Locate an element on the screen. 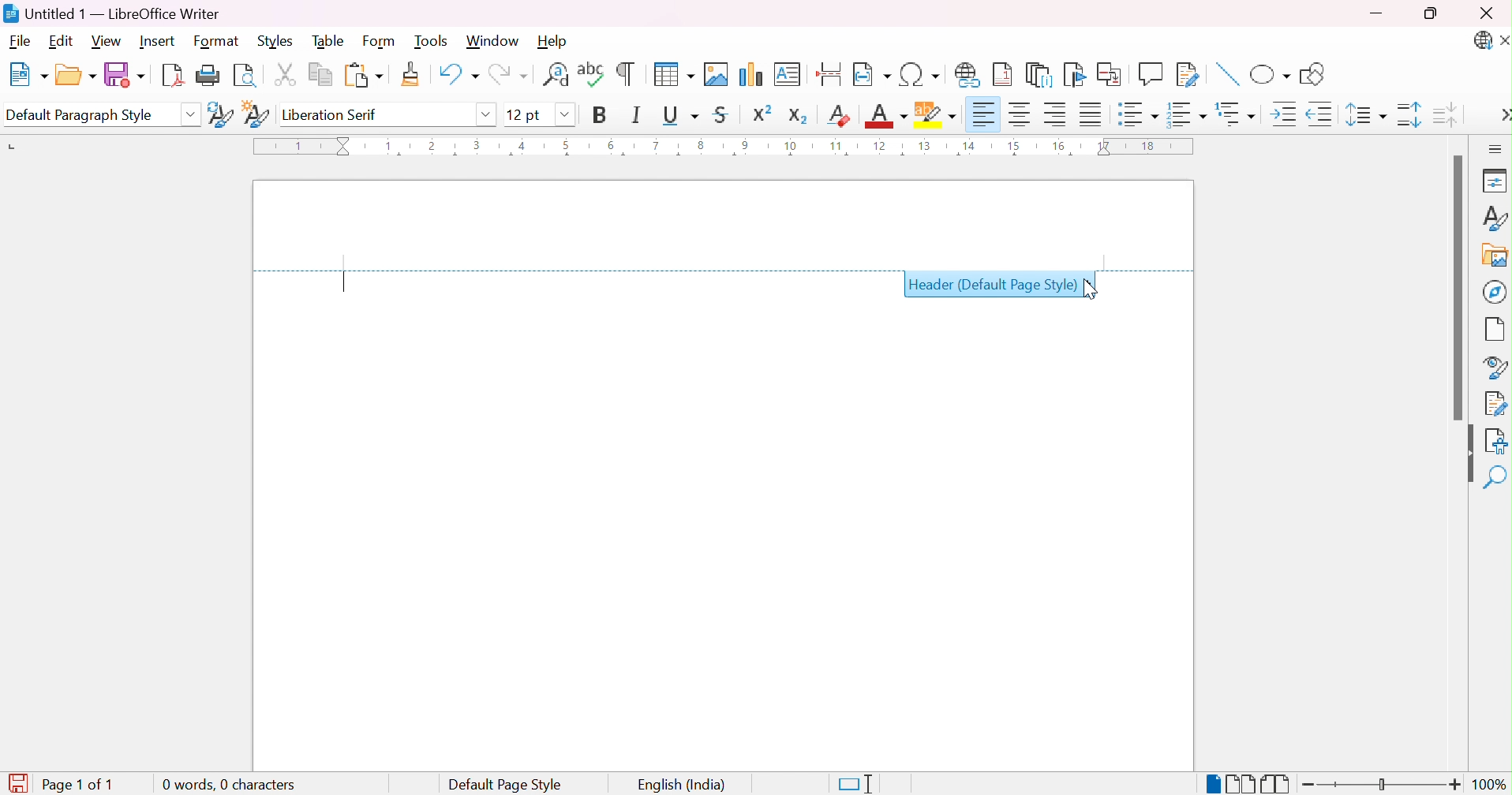  Show track changes functions is located at coordinates (1186, 74).